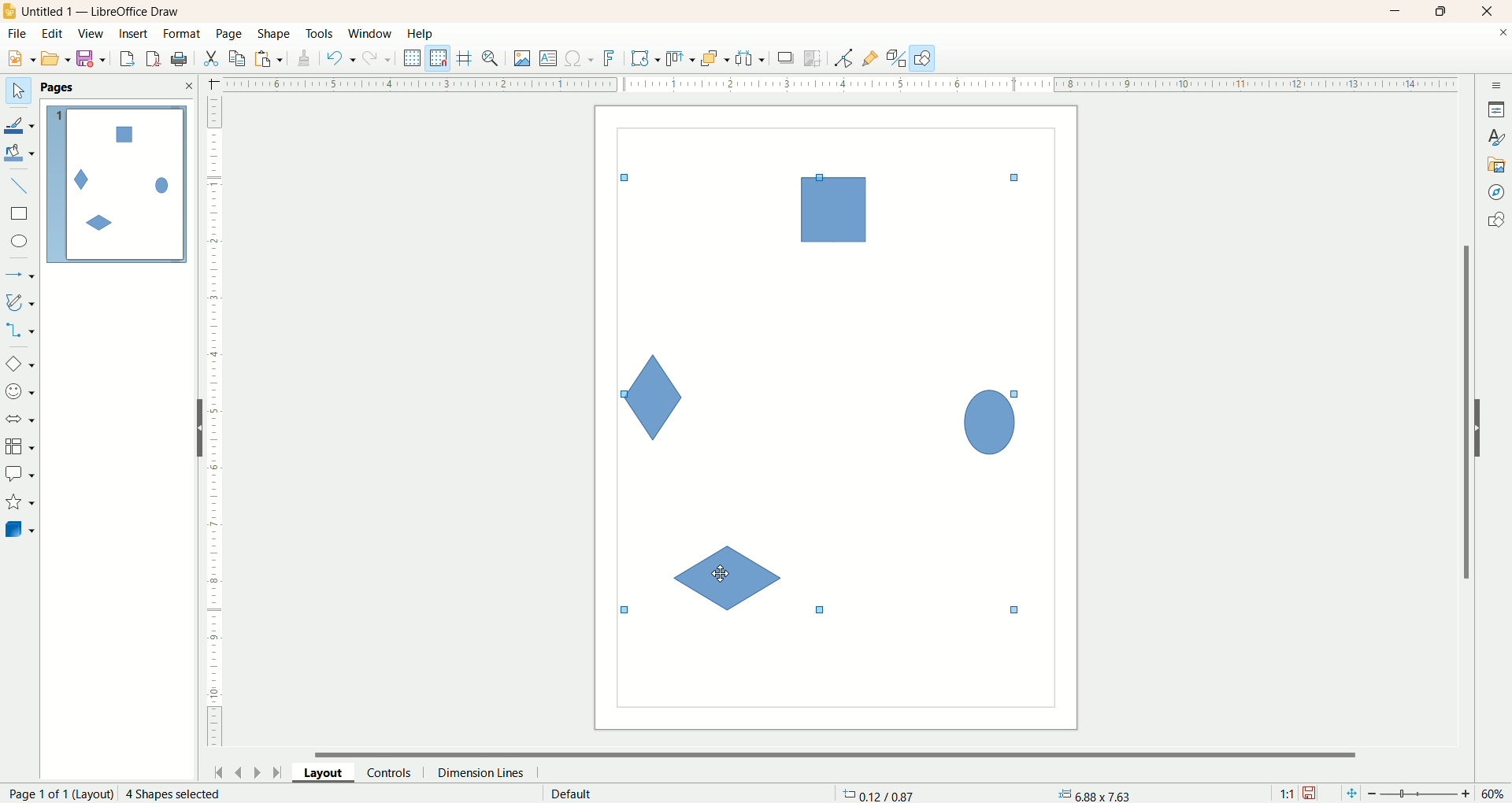 This screenshot has height=803, width=1512. I want to click on lines and arrows, so click(21, 276).